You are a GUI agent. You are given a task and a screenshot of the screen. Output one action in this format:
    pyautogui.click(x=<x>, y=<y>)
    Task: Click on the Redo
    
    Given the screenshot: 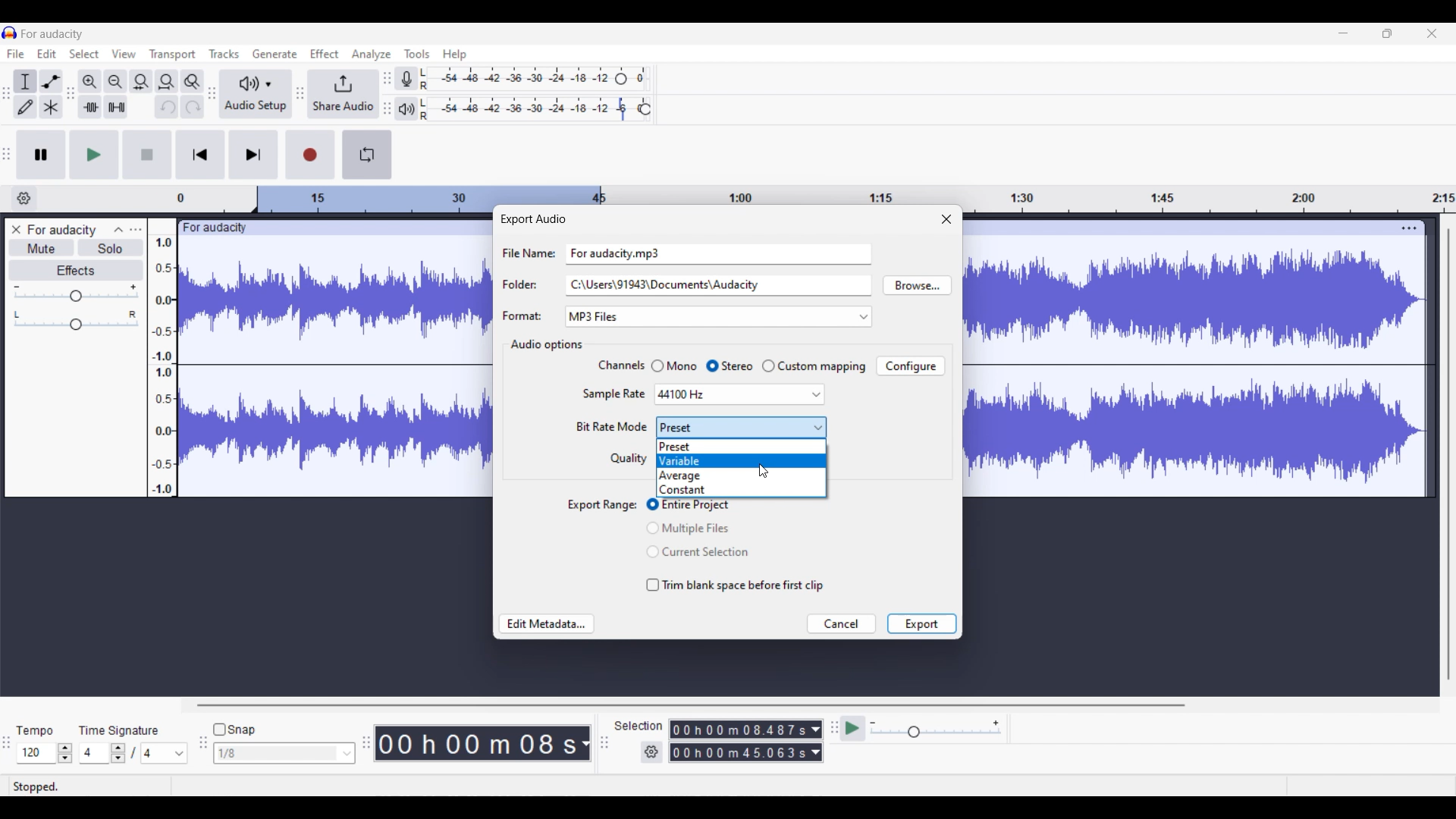 What is the action you would take?
    pyautogui.click(x=193, y=106)
    